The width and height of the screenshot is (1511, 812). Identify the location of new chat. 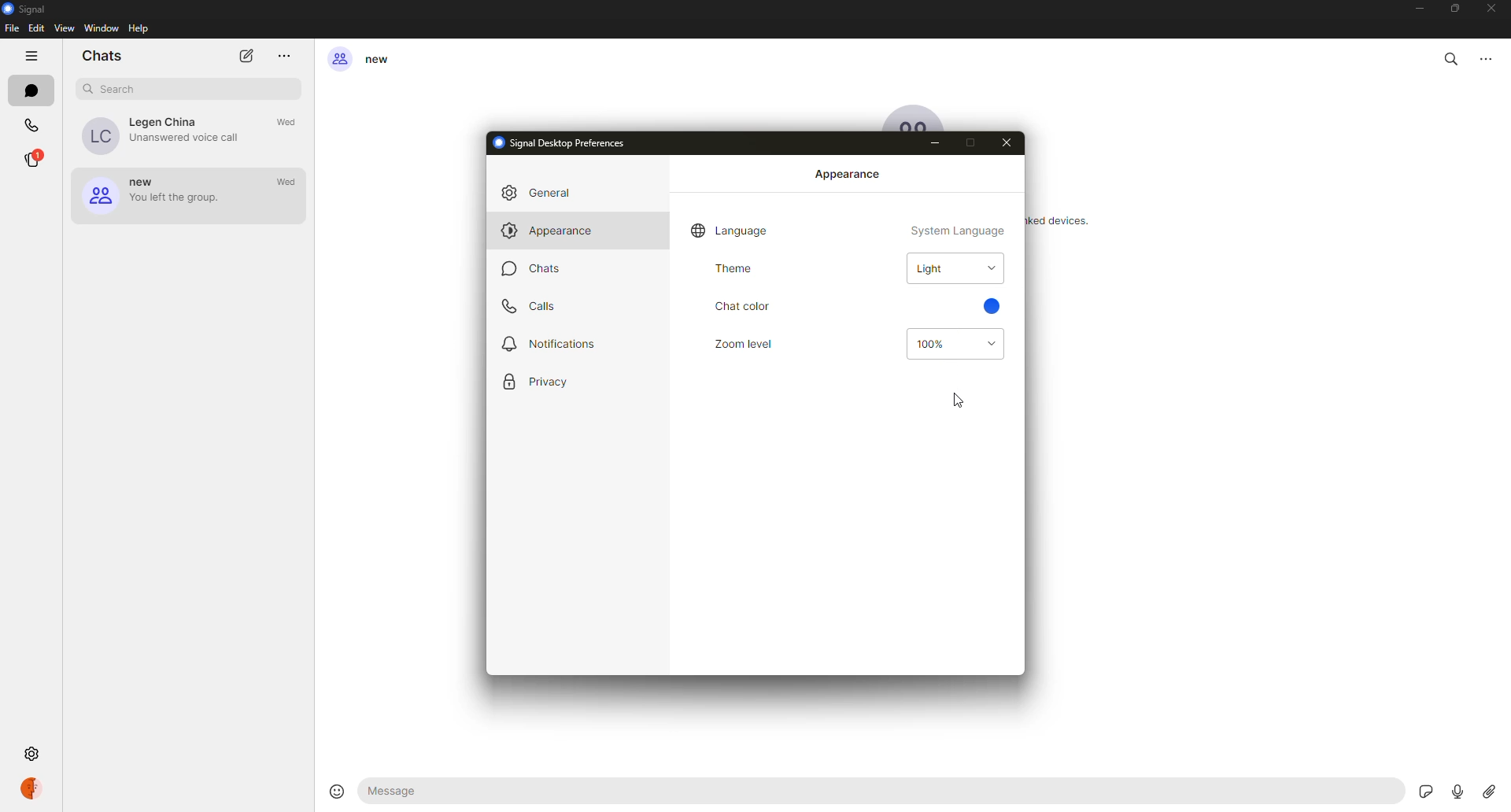
(248, 57).